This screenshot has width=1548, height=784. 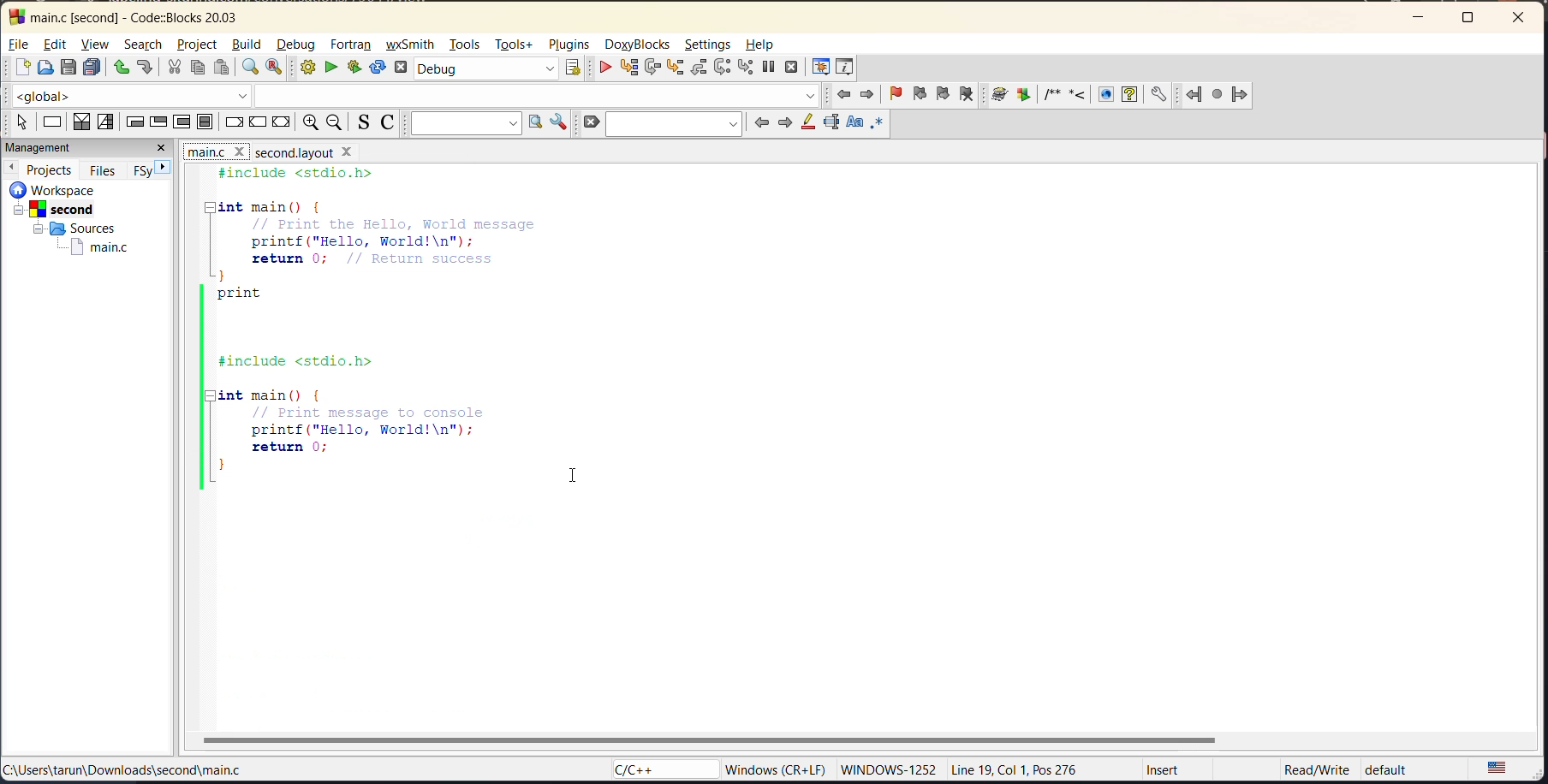 I want to click on help, so click(x=760, y=43).